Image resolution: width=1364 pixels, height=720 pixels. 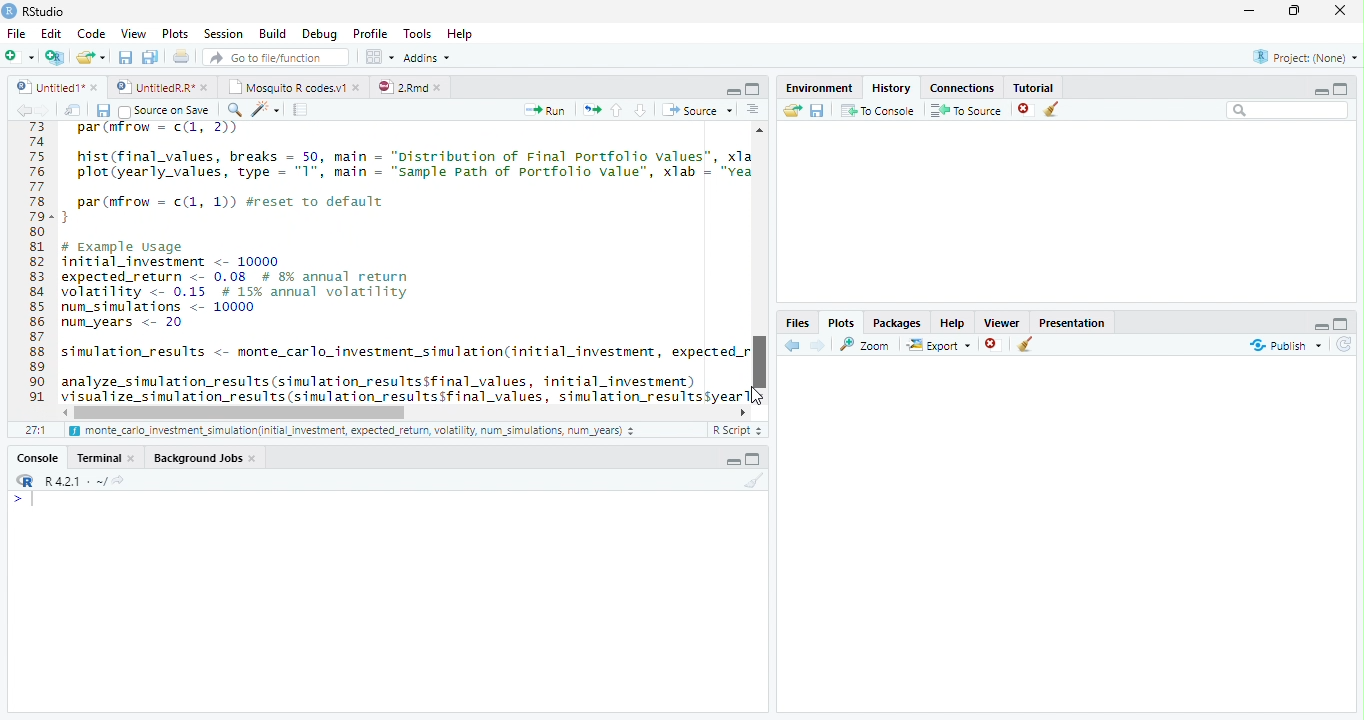 What do you see at coordinates (318, 34) in the screenshot?
I see `Debug` at bounding box center [318, 34].